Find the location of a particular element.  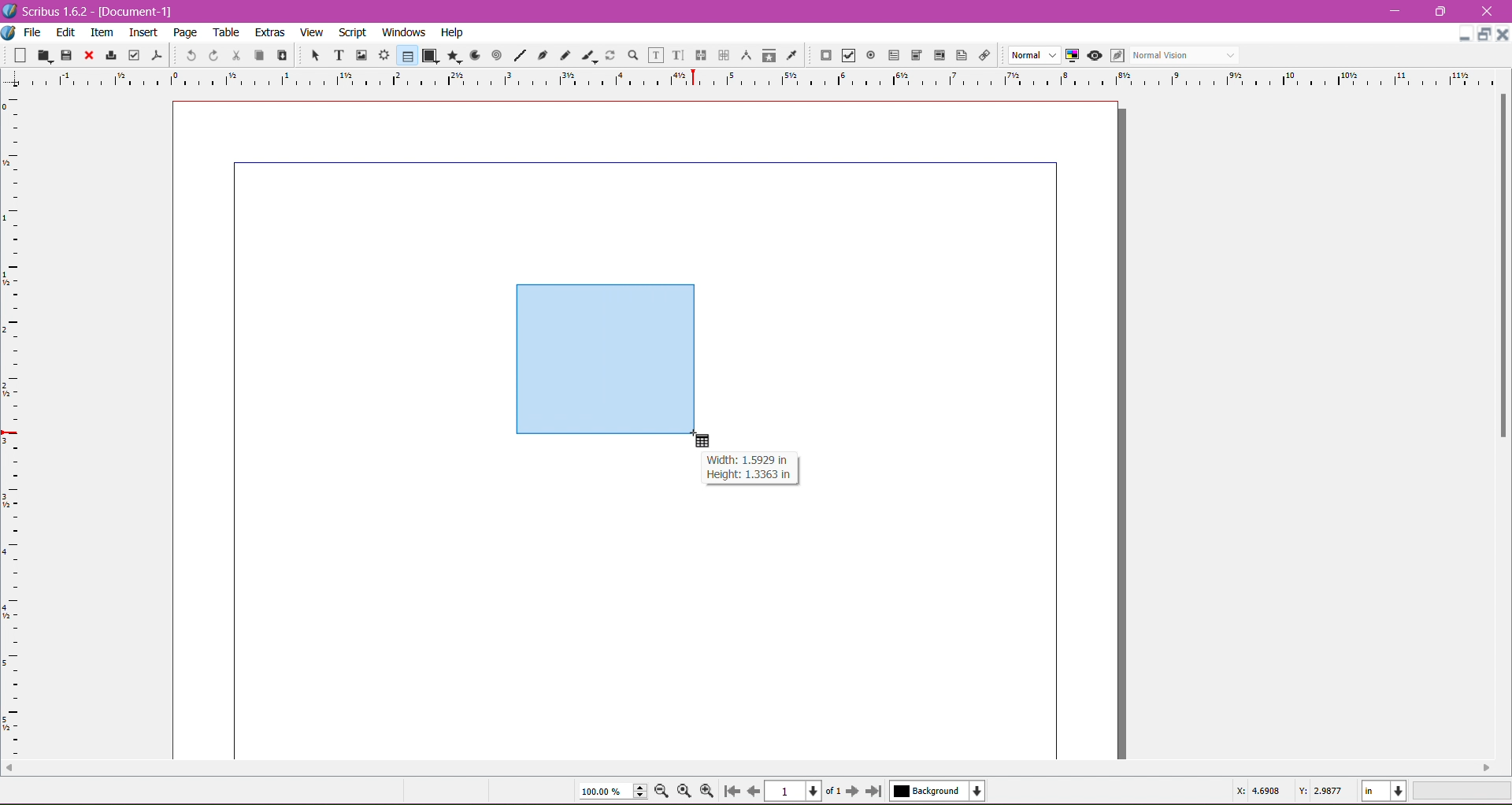

Zoom out is located at coordinates (665, 790).